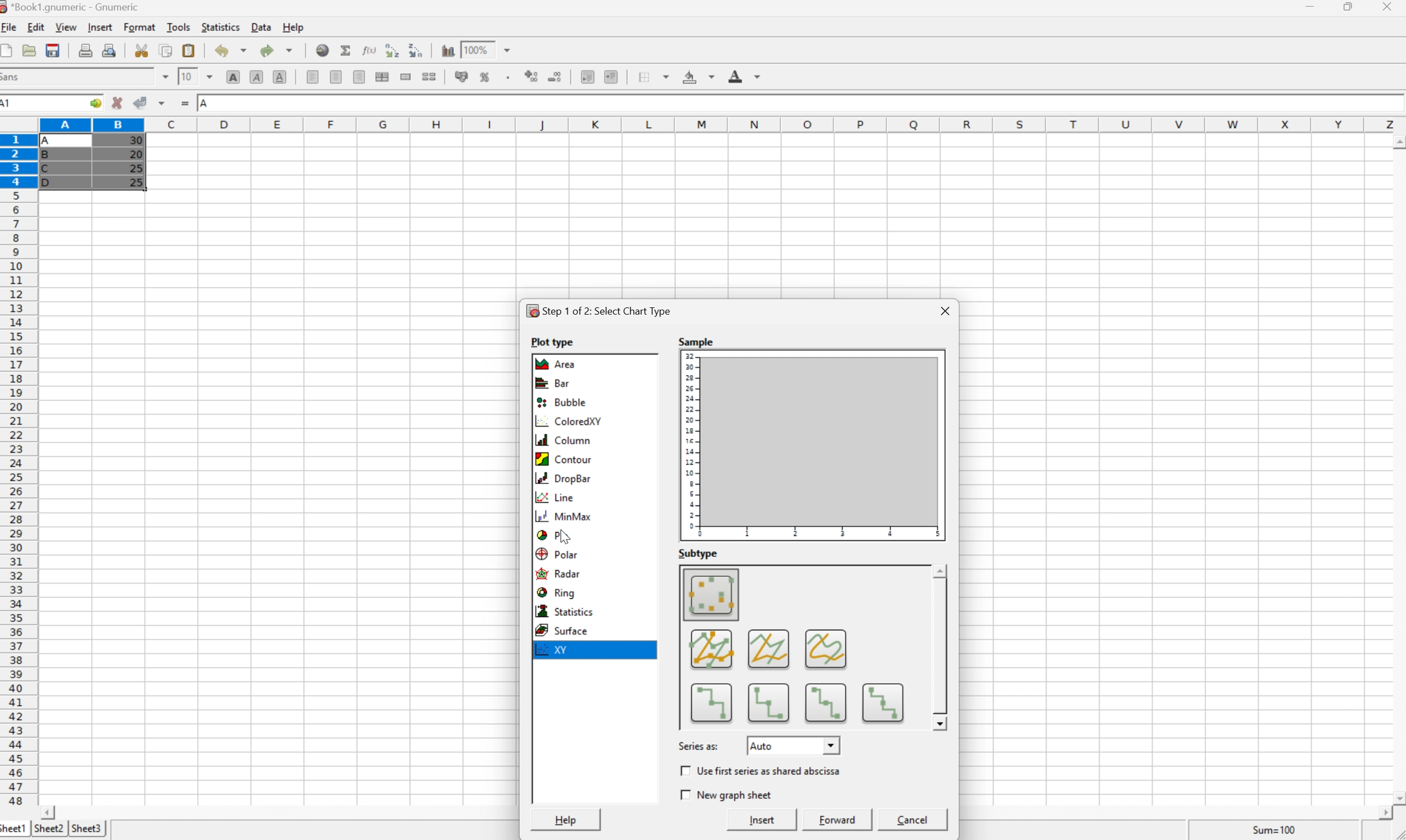 Image resolution: width=1406 pixels, height=840 pixels. What do you see at coordinates (49, 829) in the screenshot?
I see `Sheet2` at bounding box center [49, 829].